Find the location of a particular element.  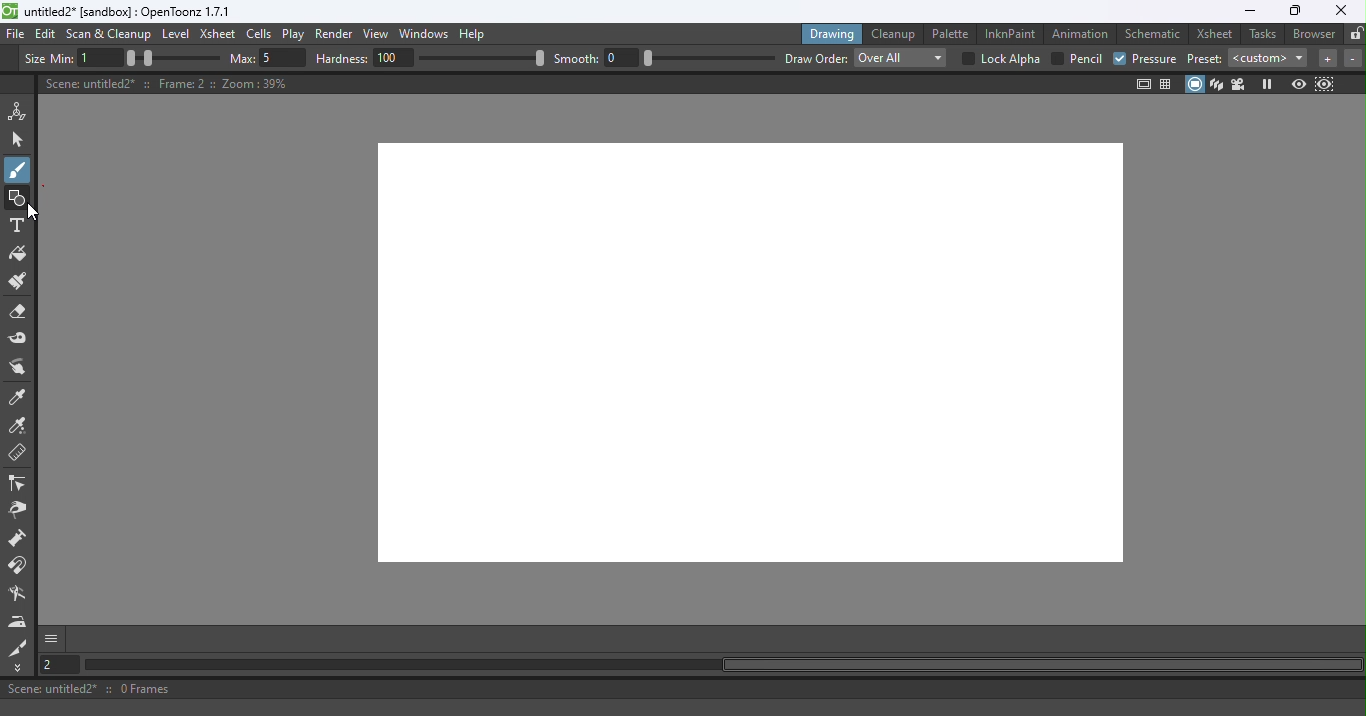

0 is located at coordinates (623, 57).